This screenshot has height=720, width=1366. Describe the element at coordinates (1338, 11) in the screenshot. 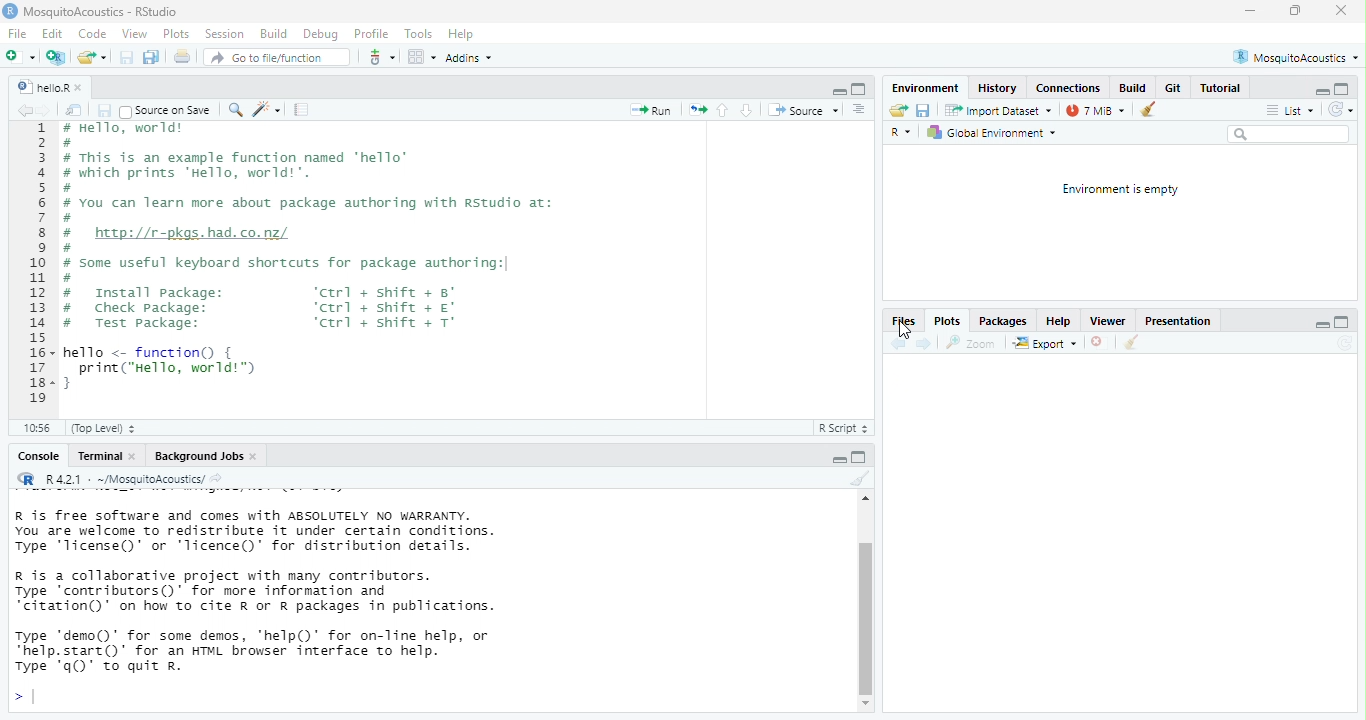

I see `close` at that location.